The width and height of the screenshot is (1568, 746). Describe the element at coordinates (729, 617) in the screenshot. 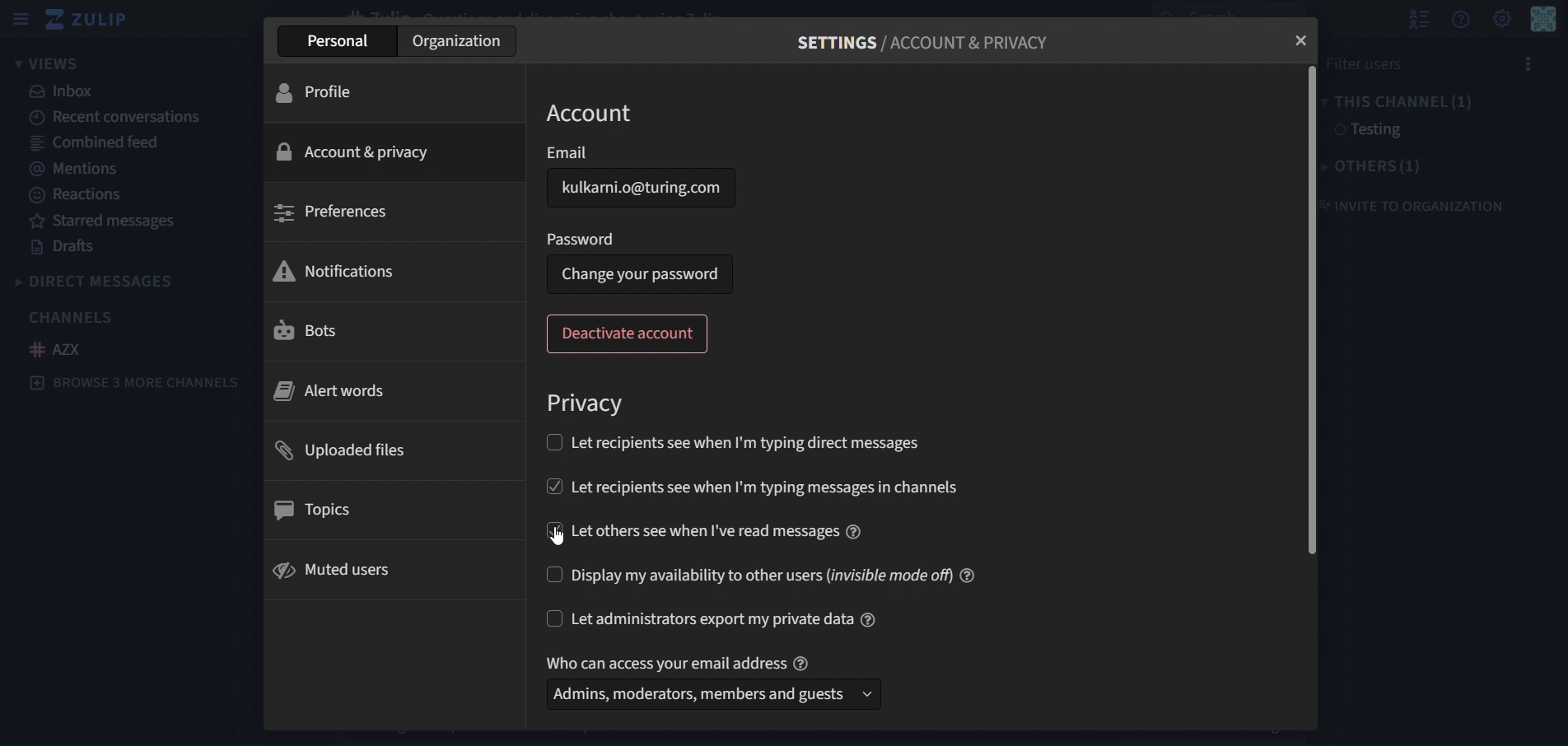

I see `let administrators export my private data` at that location.